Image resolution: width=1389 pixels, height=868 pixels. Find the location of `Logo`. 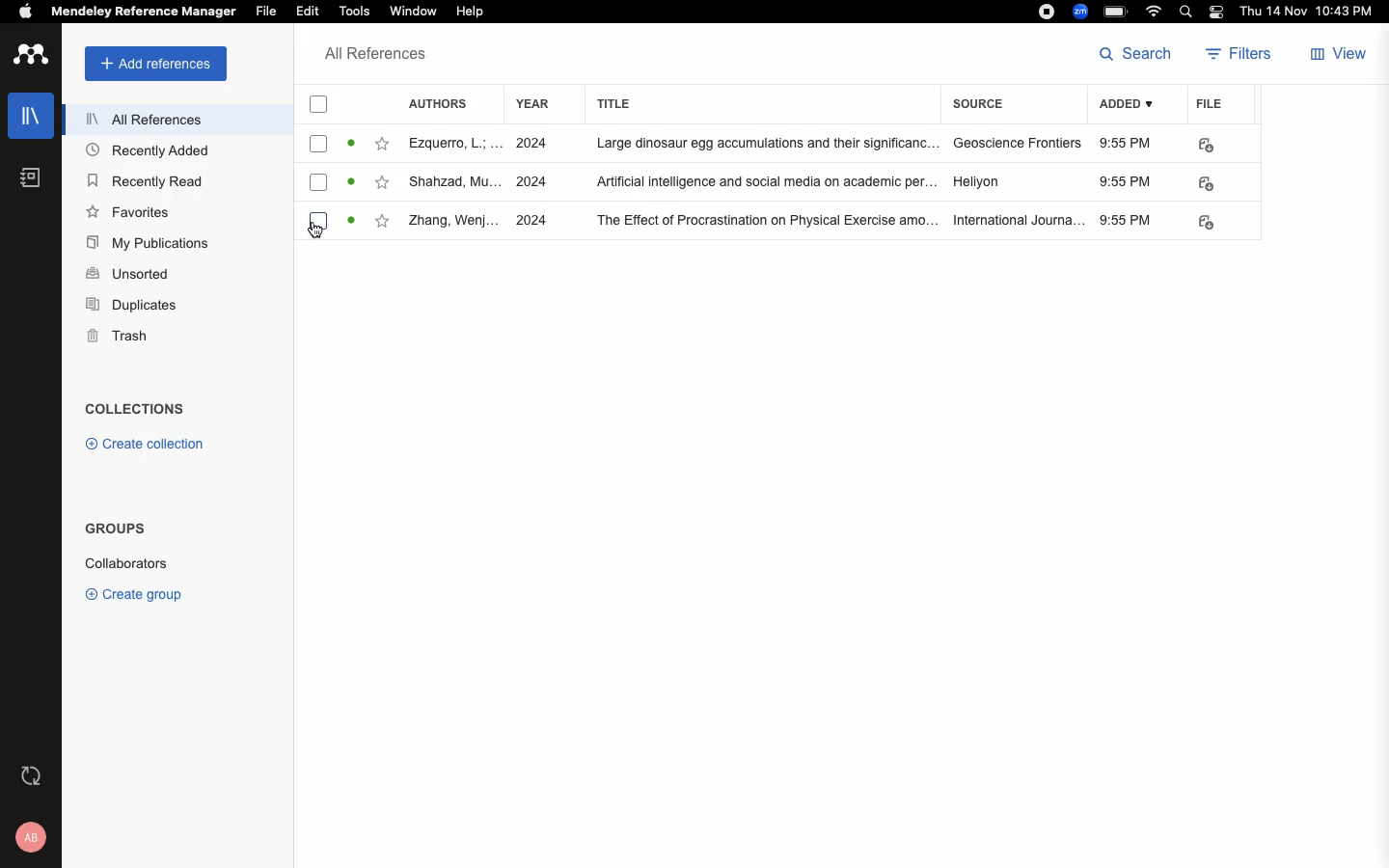

Logo is located at coordinates (31, 56).